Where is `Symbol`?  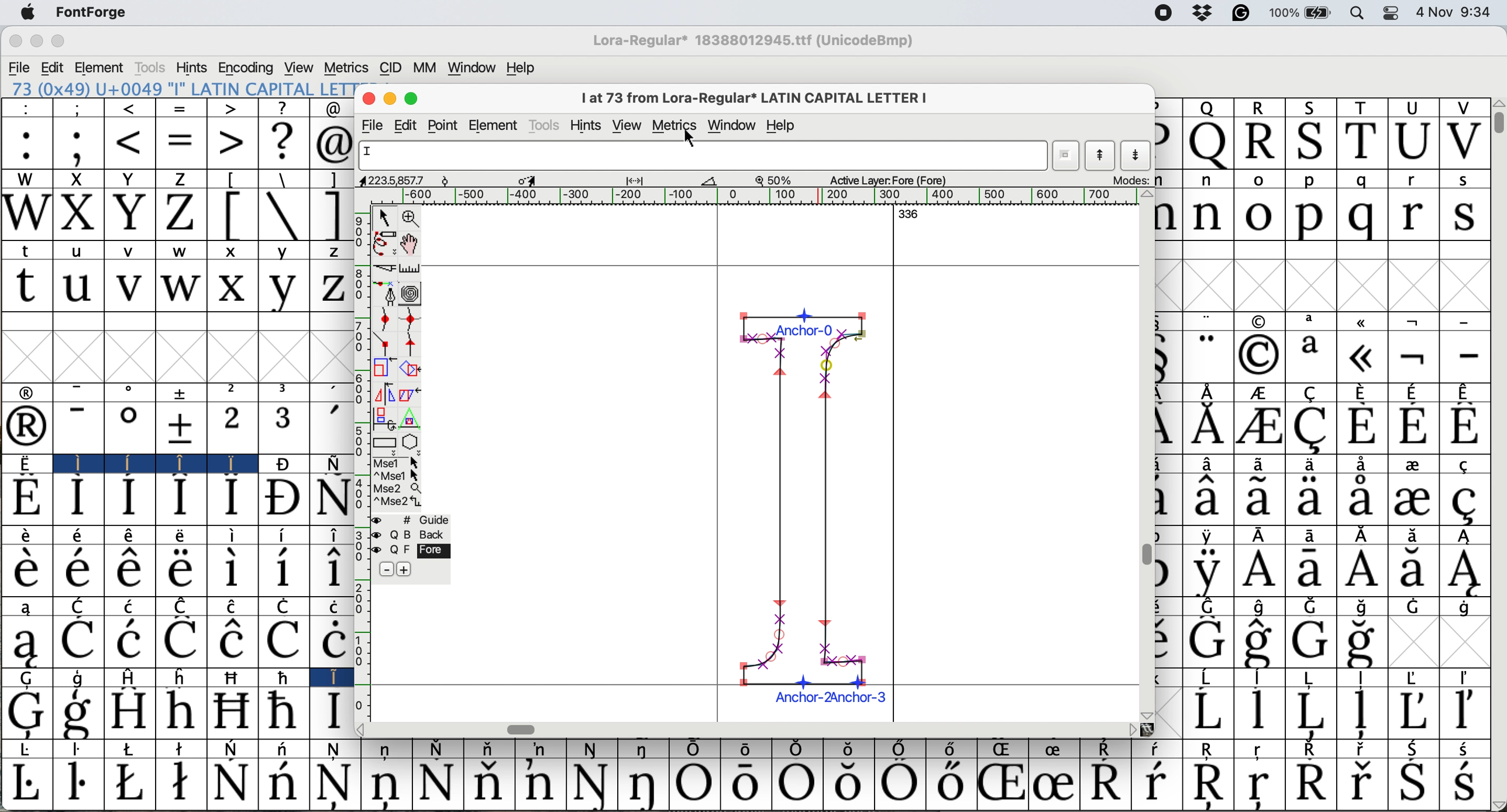 Symbol is located at coordinates (184, 605).